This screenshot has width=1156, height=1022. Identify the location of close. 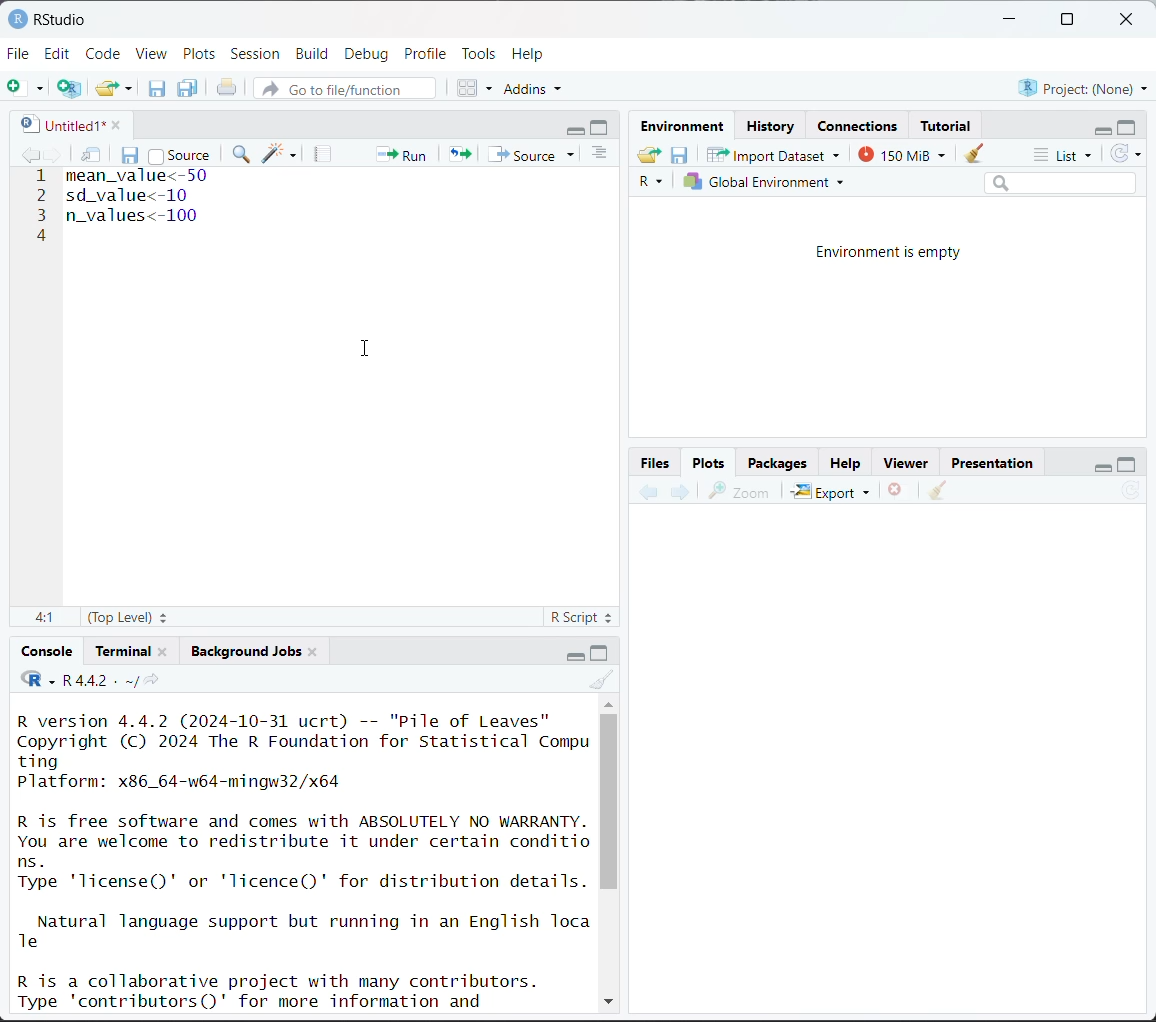
(1130, 20).